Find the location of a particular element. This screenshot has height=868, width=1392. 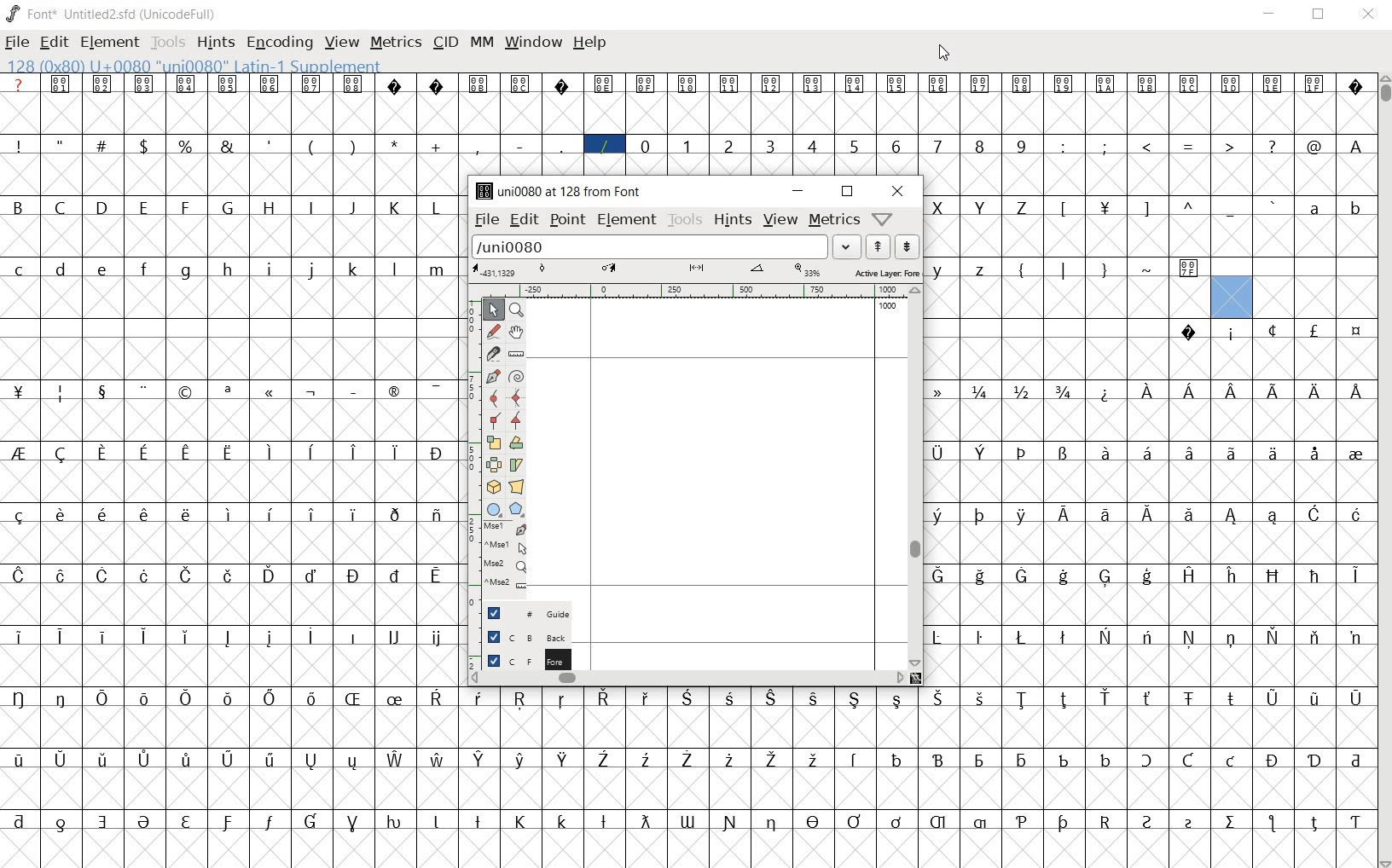

glyph is located at coordinates (351, 762).